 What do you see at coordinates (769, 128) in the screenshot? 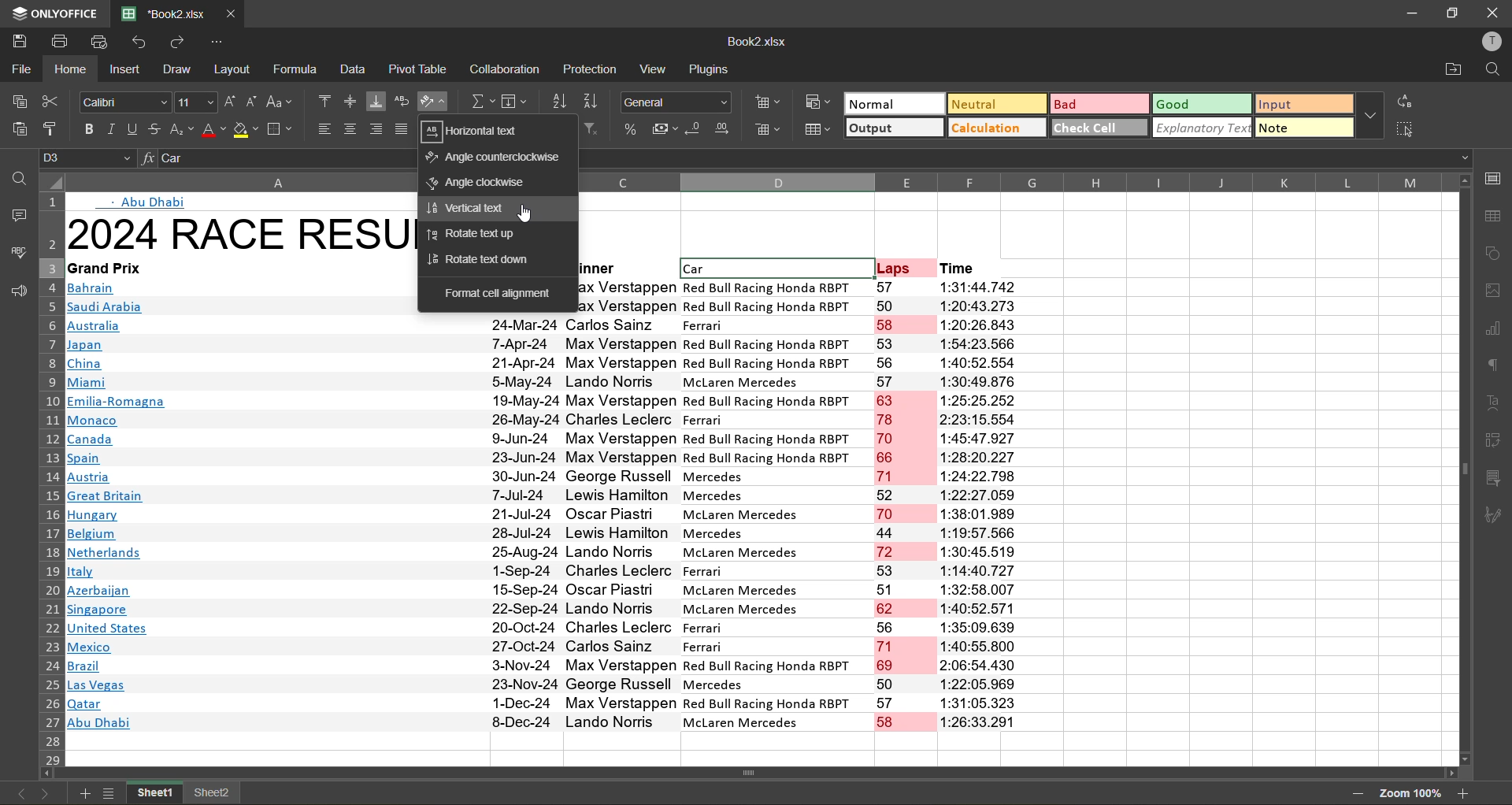
I see `delete cells` at bounding box center [769, 128].